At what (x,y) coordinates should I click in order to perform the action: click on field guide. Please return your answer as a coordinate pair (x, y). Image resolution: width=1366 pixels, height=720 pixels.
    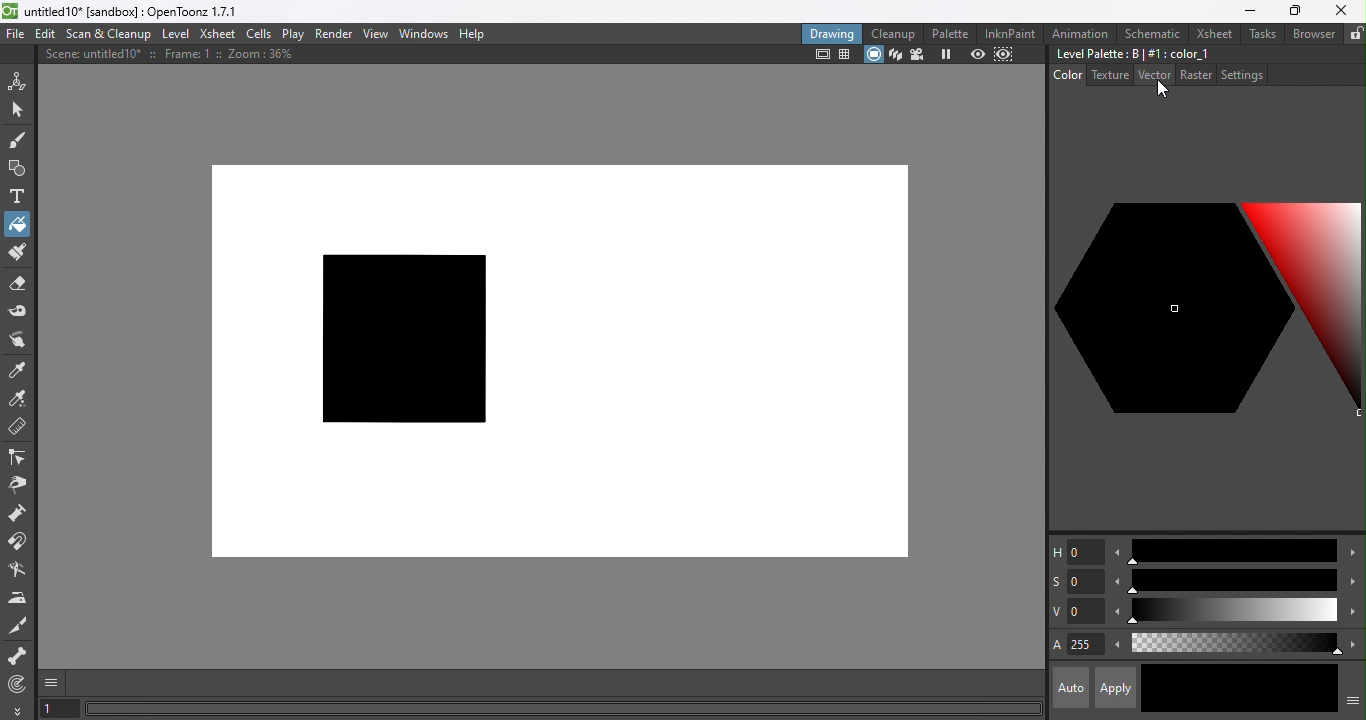
    Looking at the image, I should click on (846, 56).